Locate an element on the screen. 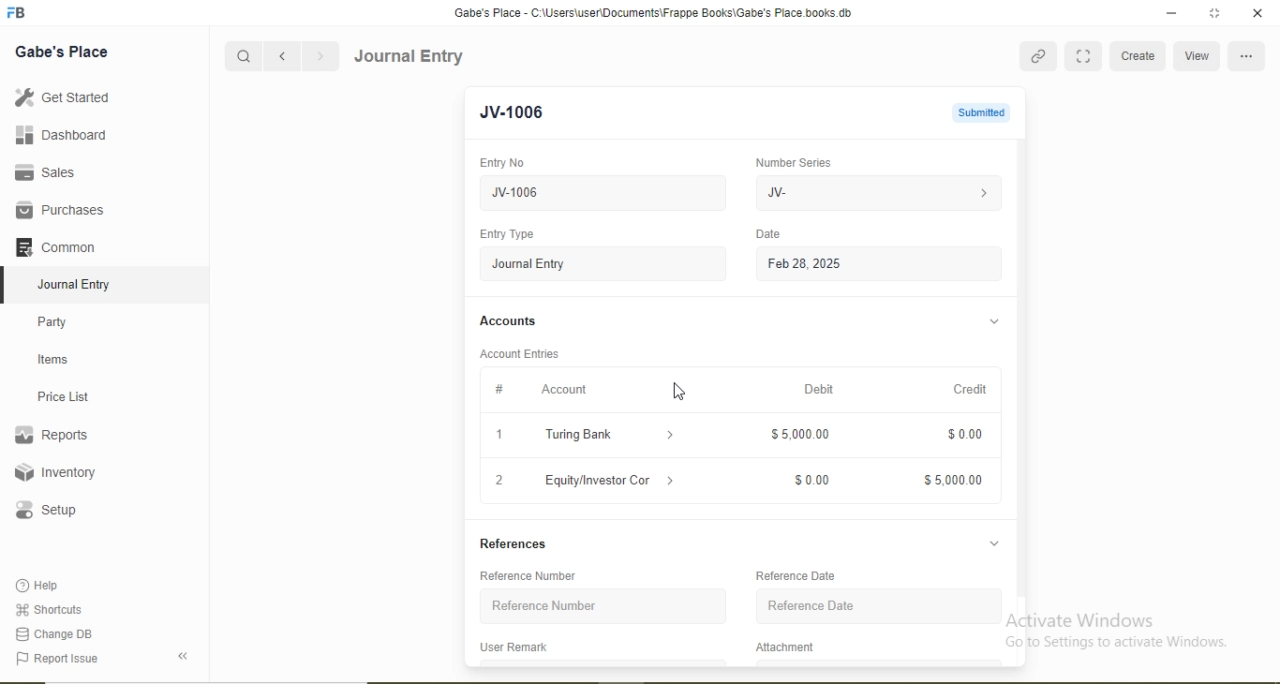 The width and height of the screenshot is (1280, 684). Scroll bar is located at coordinates (1023, 375).